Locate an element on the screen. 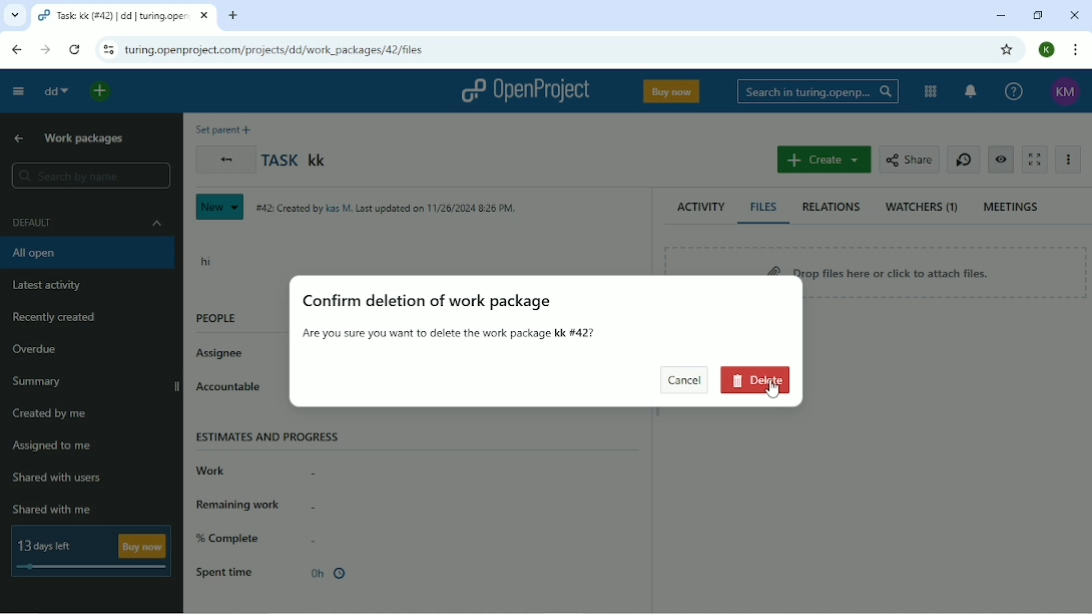  Recently created is located at coordinates (56, 317).